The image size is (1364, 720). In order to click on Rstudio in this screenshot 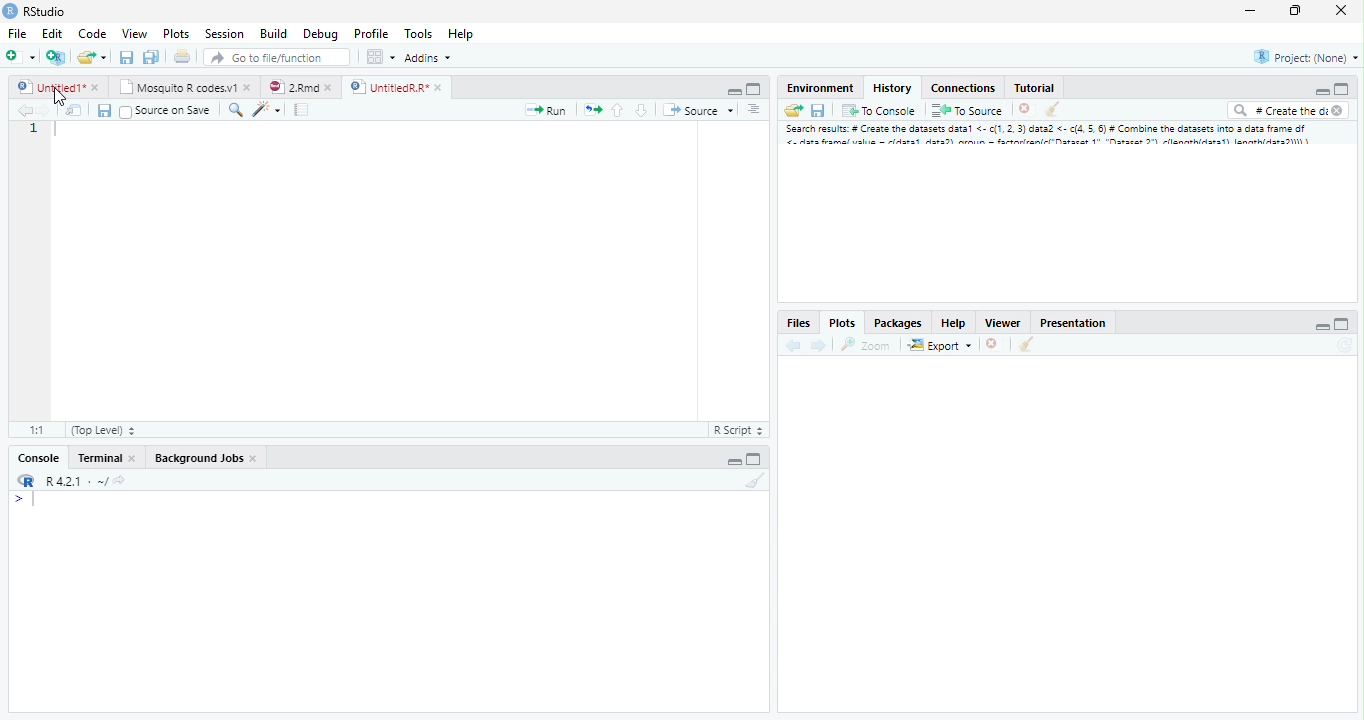, I will do `click(34, 10)`.